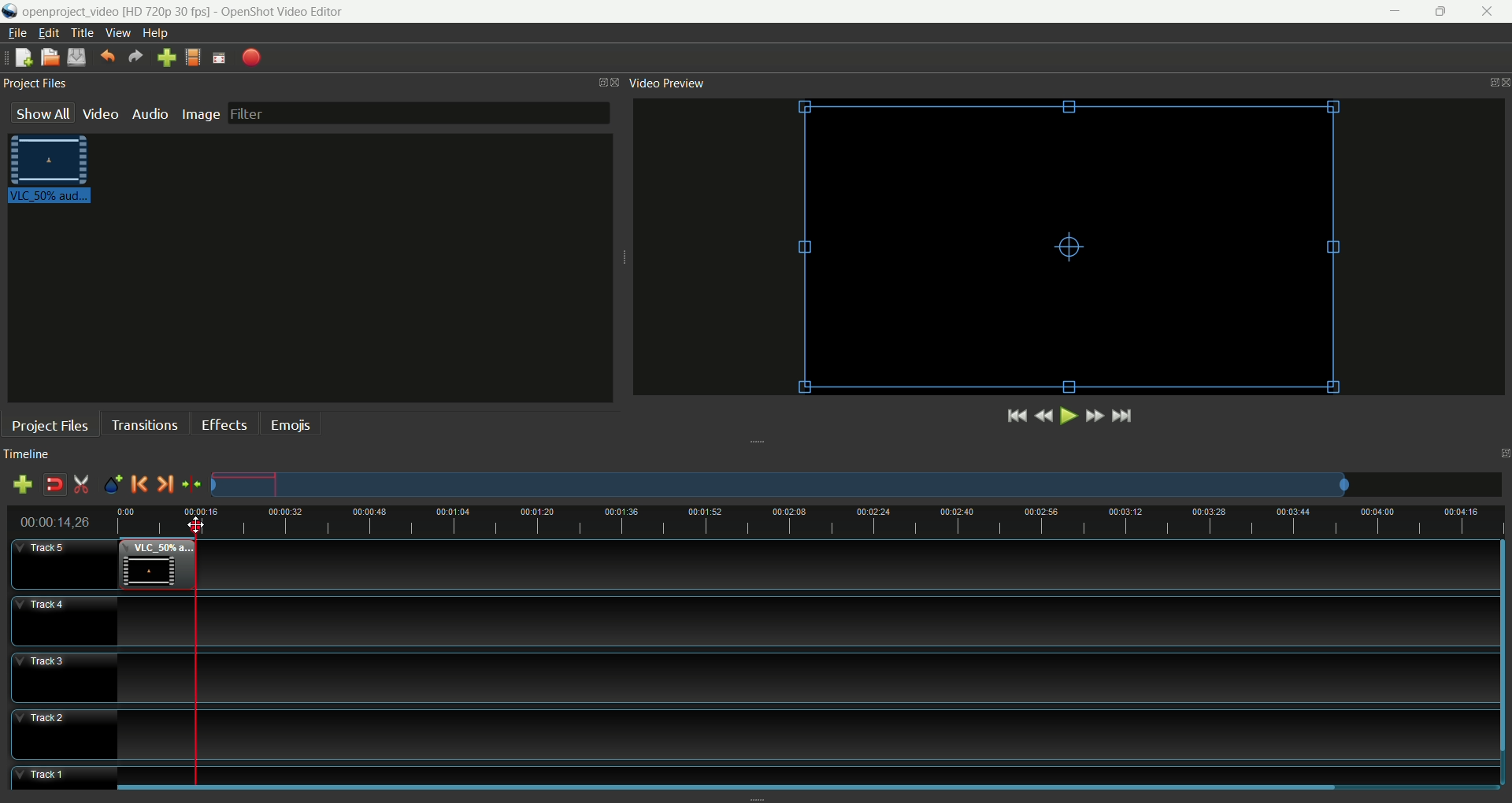 The height and width of the screenshot is (803, 1512). What do you see at coordinates (139, 484) in the screenshot?
I see `previous marker` at bounding box center [139, 484].